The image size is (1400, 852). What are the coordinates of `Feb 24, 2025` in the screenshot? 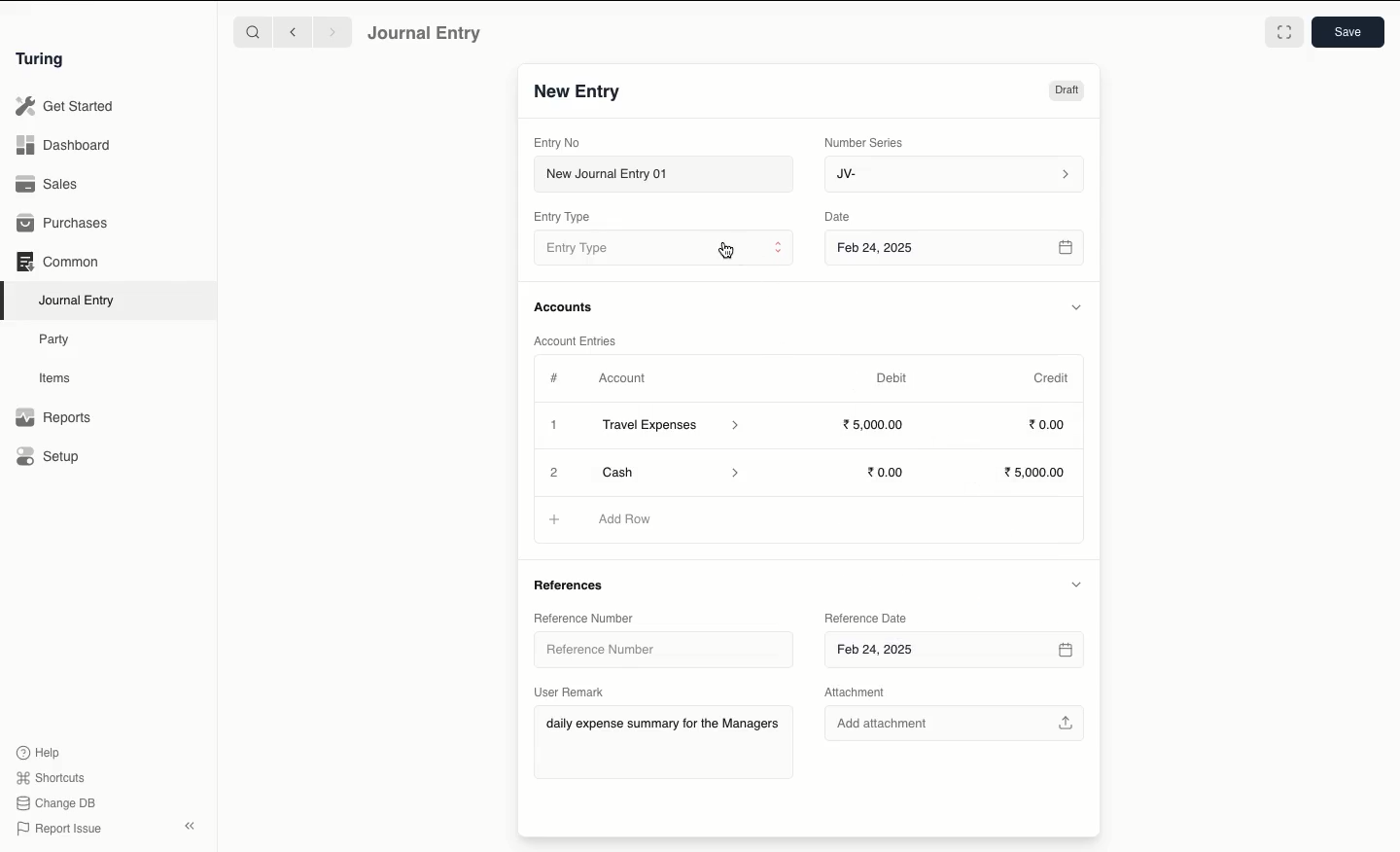 It's located at (955, 652).